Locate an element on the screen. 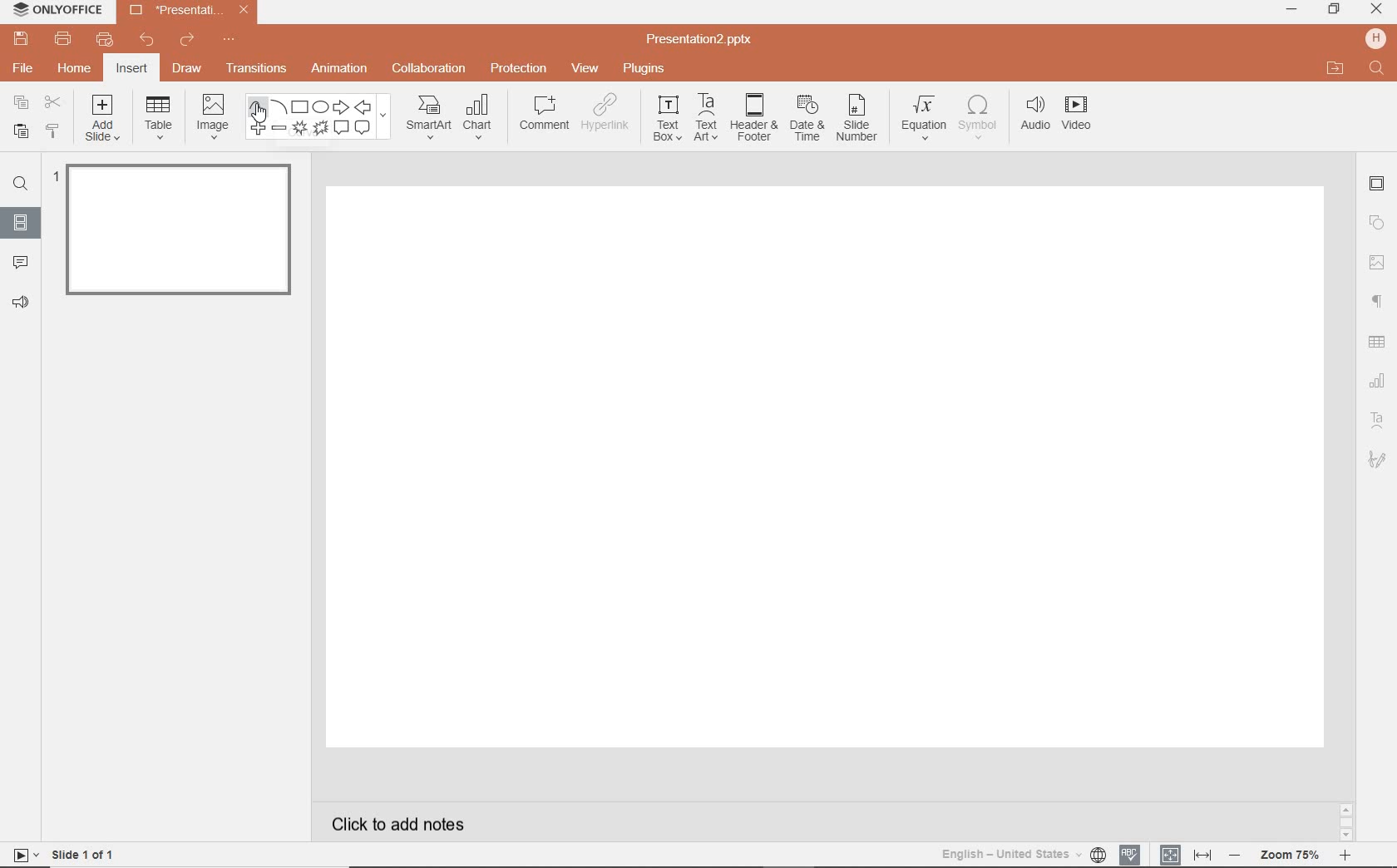  SHAPES is located at coordinates (321, 118).